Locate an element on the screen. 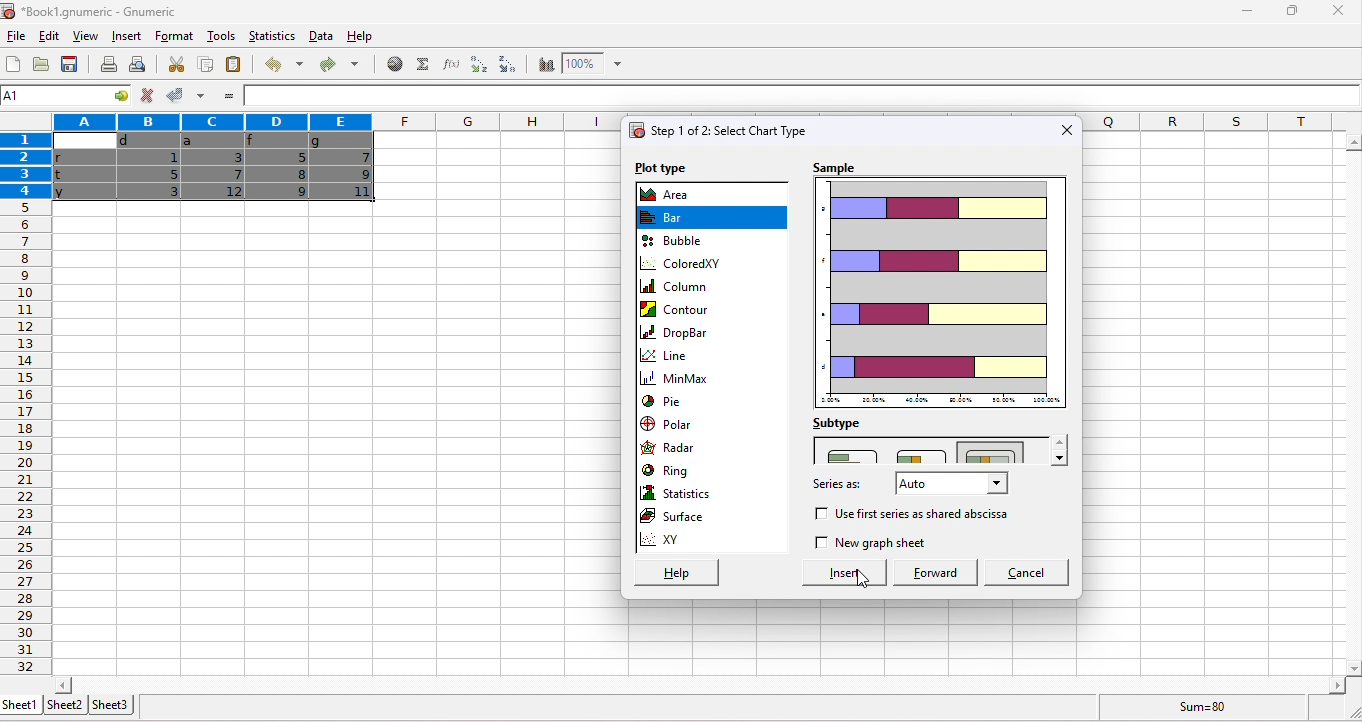  data is located at coordinates (320, 36).